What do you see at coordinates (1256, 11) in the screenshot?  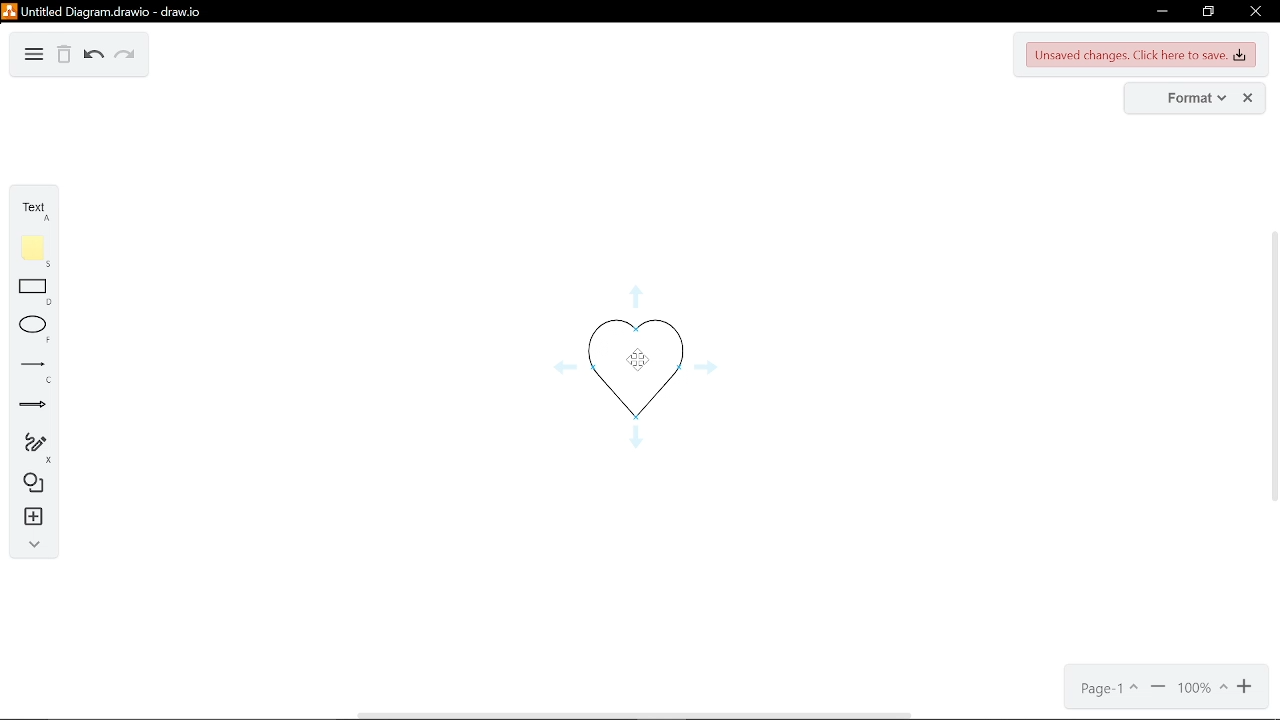 I see `close` at bounding box center [1256, 11].